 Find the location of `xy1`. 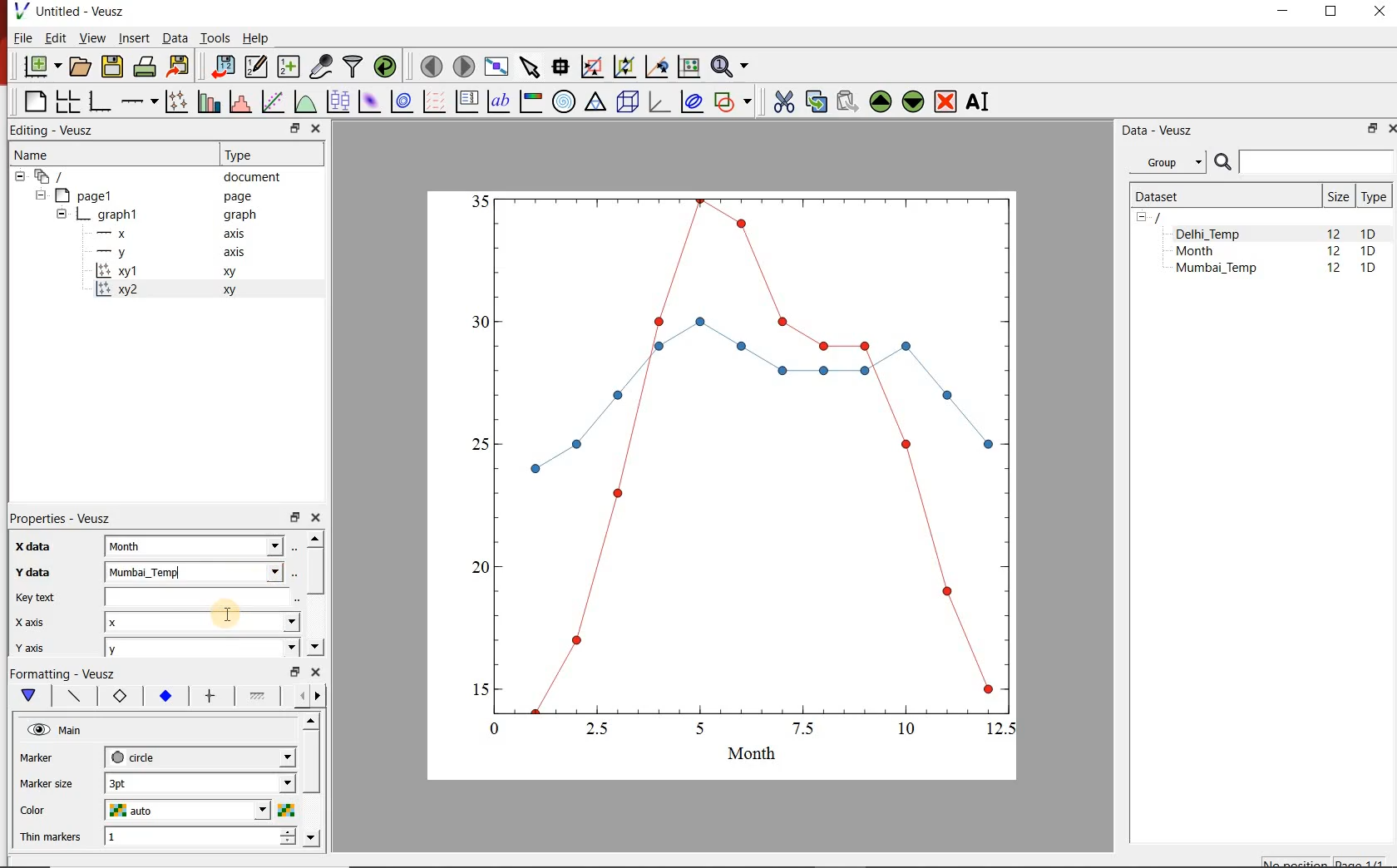

xy1 is located at coordinates (174, 272).